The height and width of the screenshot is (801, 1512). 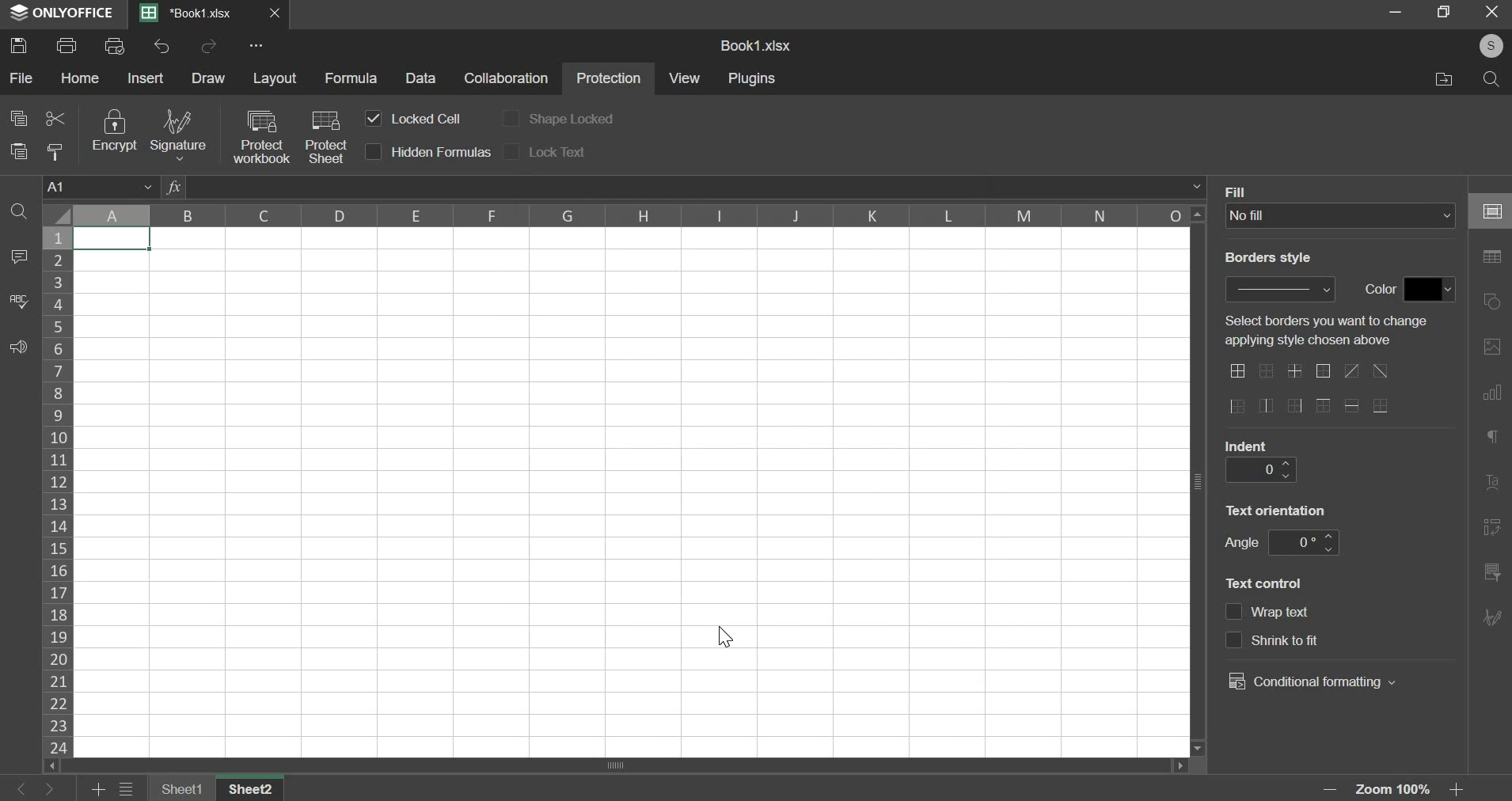 What do you see at coordinates (177, 135) in the screenshot?
I see `signature` at bounding box center [177, 135].